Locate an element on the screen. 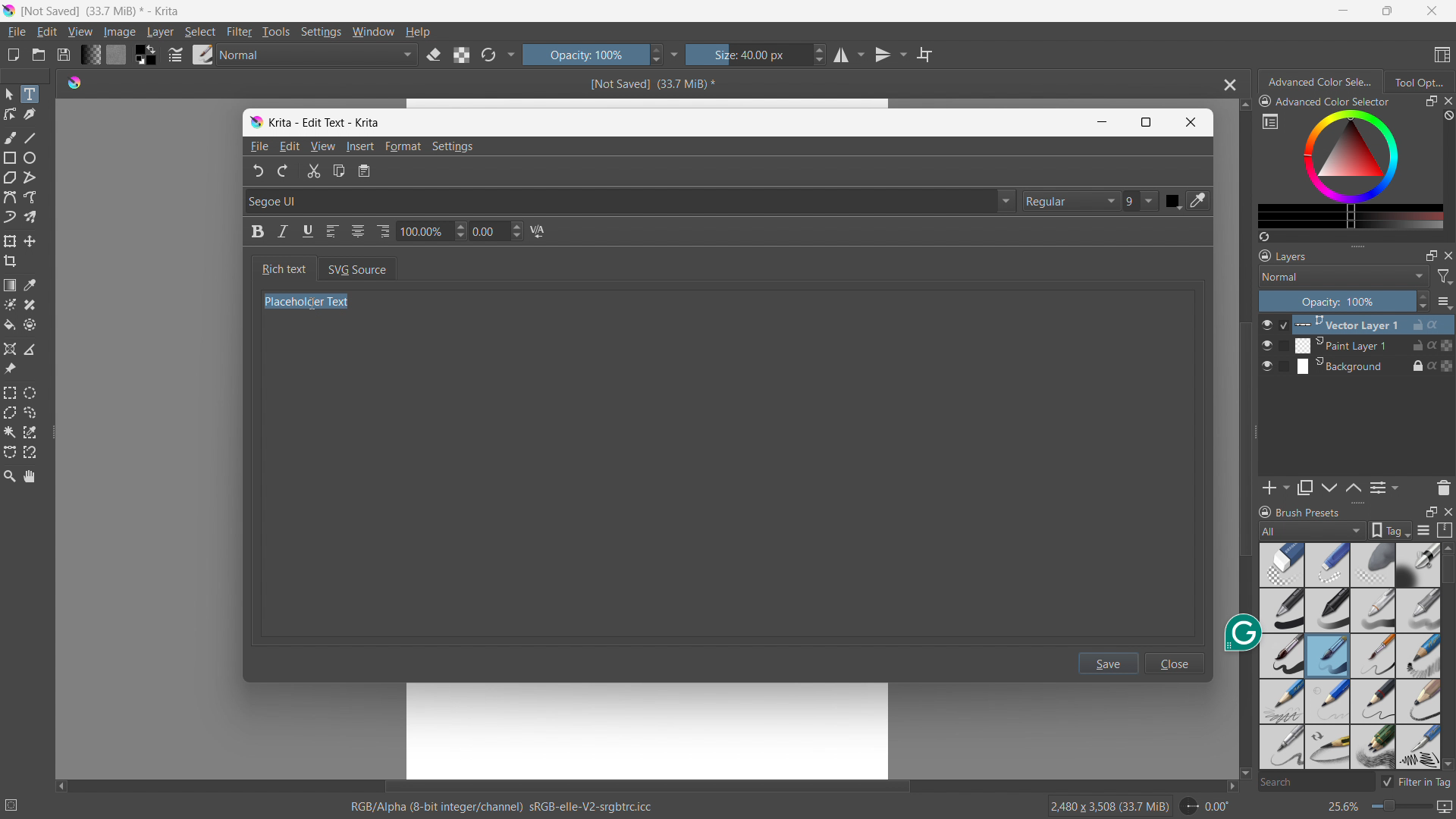 Image resolution: width=1456 pixels, height=819 pixels. more settings is located at coordinates (512, 53).